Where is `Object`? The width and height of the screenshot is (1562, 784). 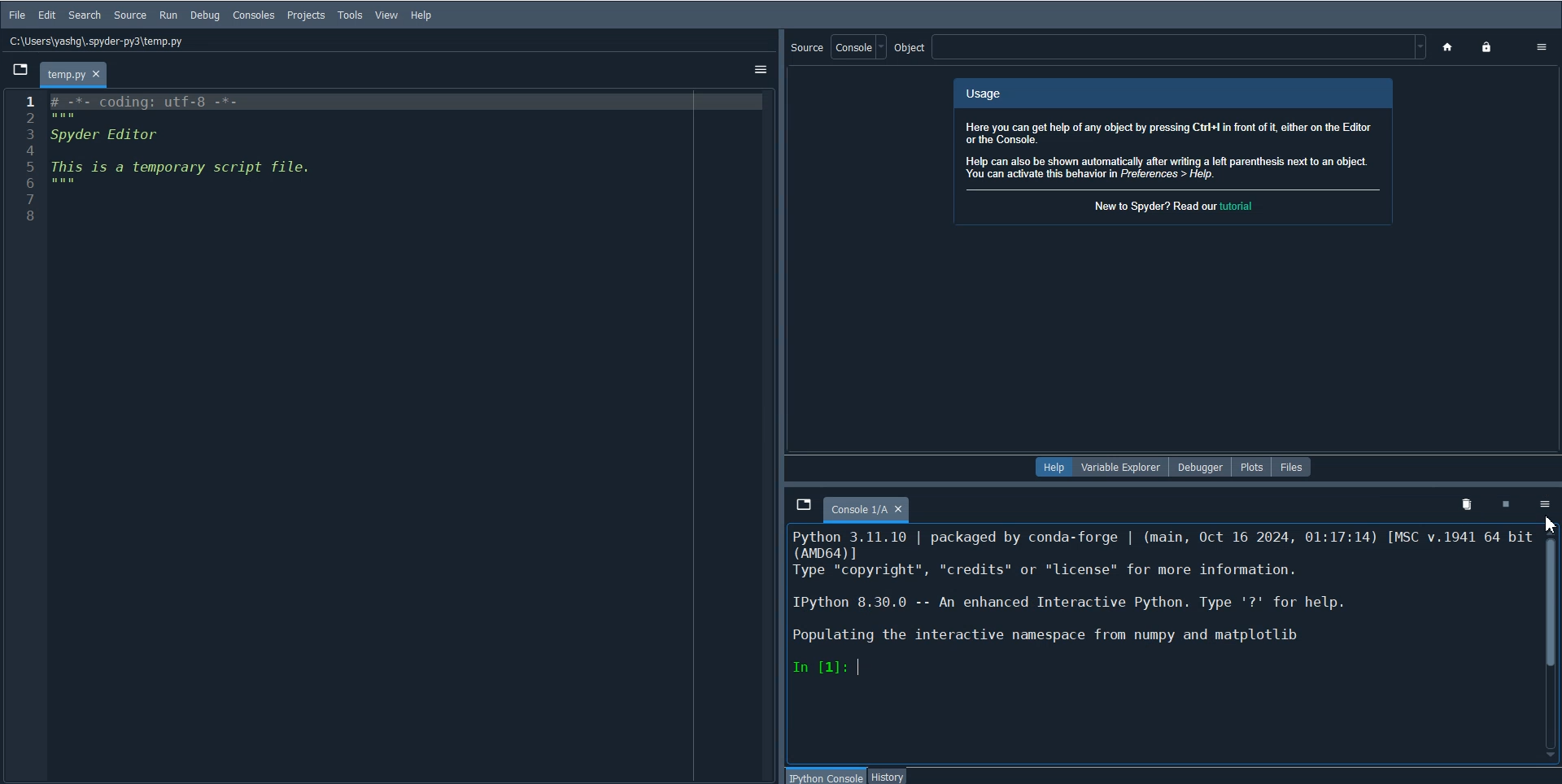
Object is located at coordinates (1159, 47).